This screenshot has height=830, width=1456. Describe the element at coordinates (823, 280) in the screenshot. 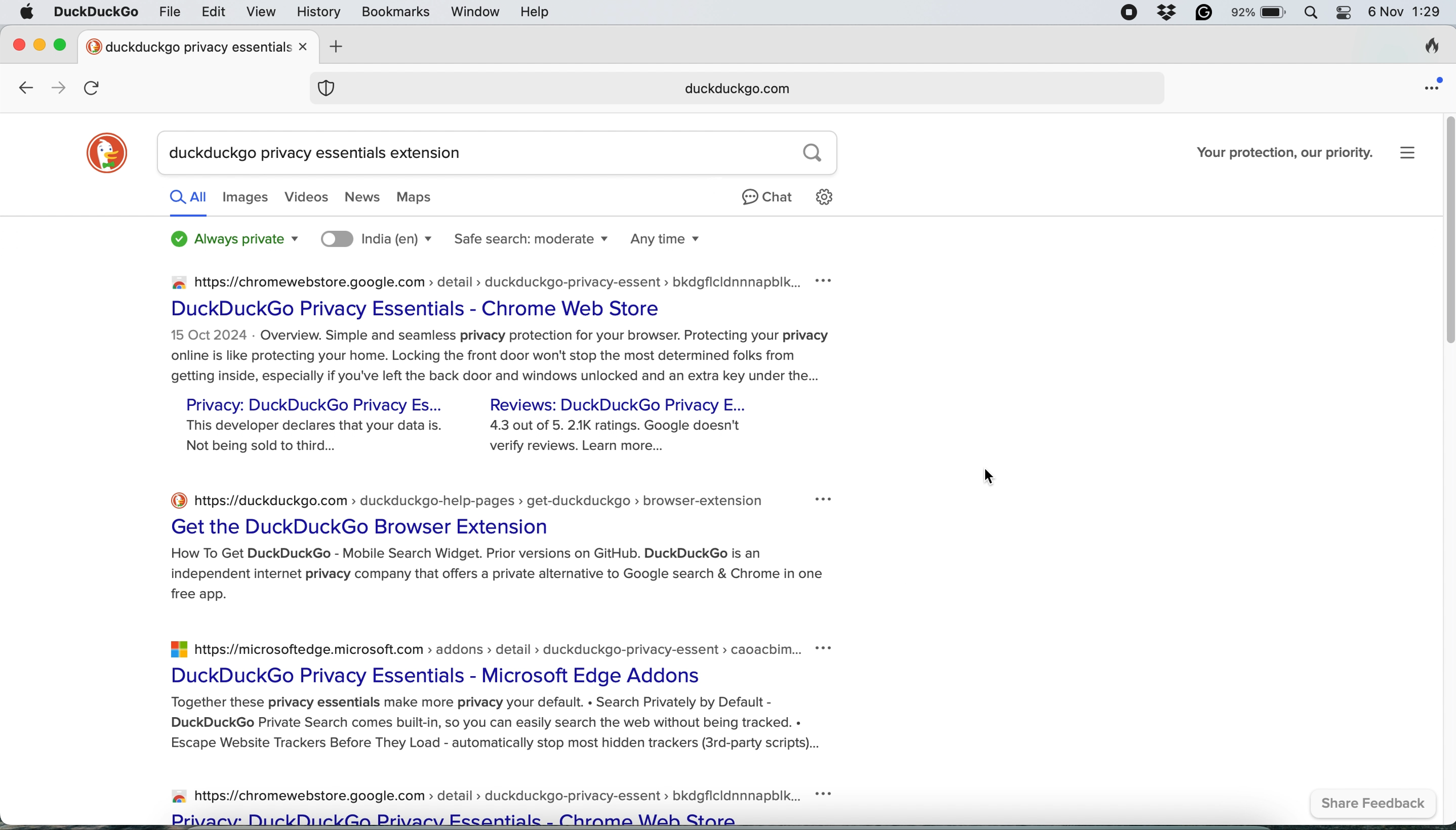

I see `more` at that location.